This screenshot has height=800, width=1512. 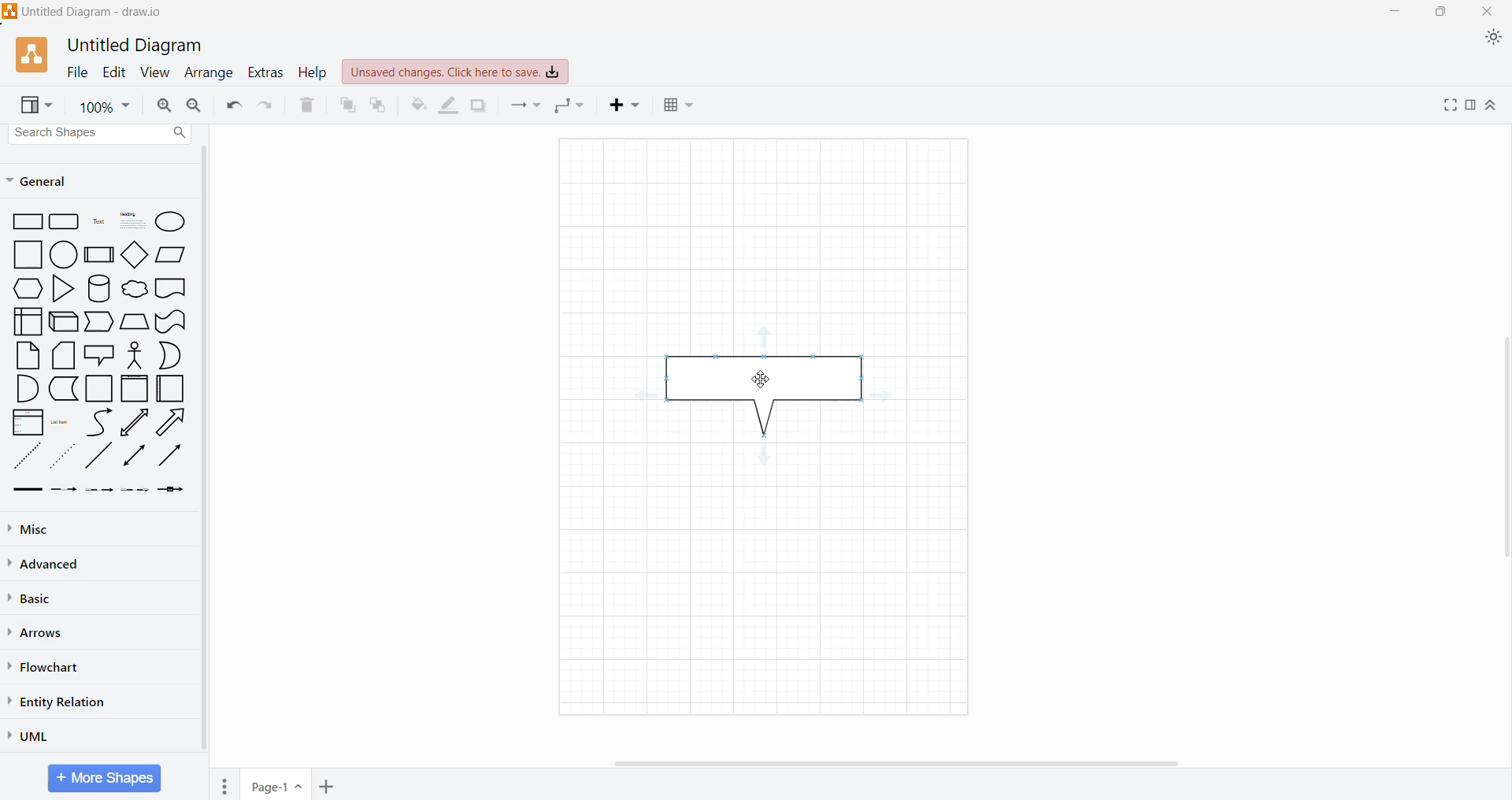 What do you see at coordinates (26, 456) in the screenshot?
I see `Dotted Line ` at bounding box center [26, 456].